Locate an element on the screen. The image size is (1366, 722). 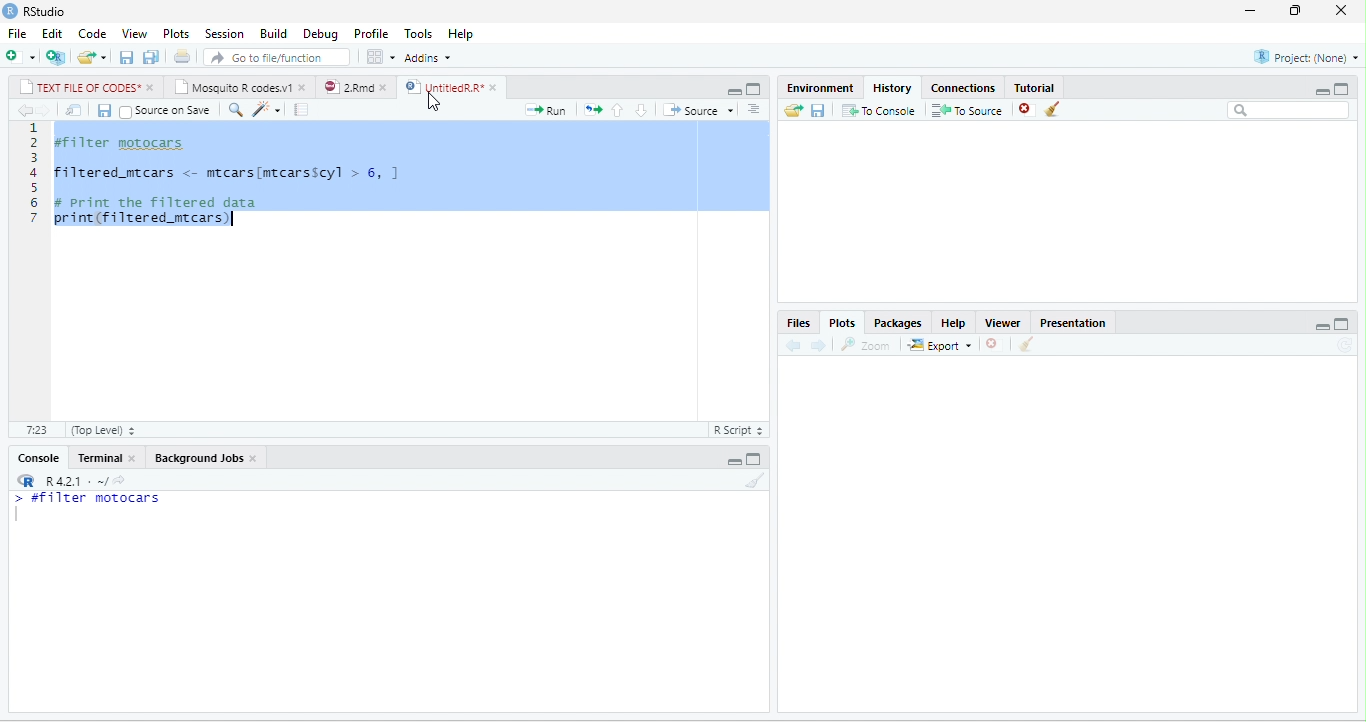
clear is located at coordinates (1053, 108).